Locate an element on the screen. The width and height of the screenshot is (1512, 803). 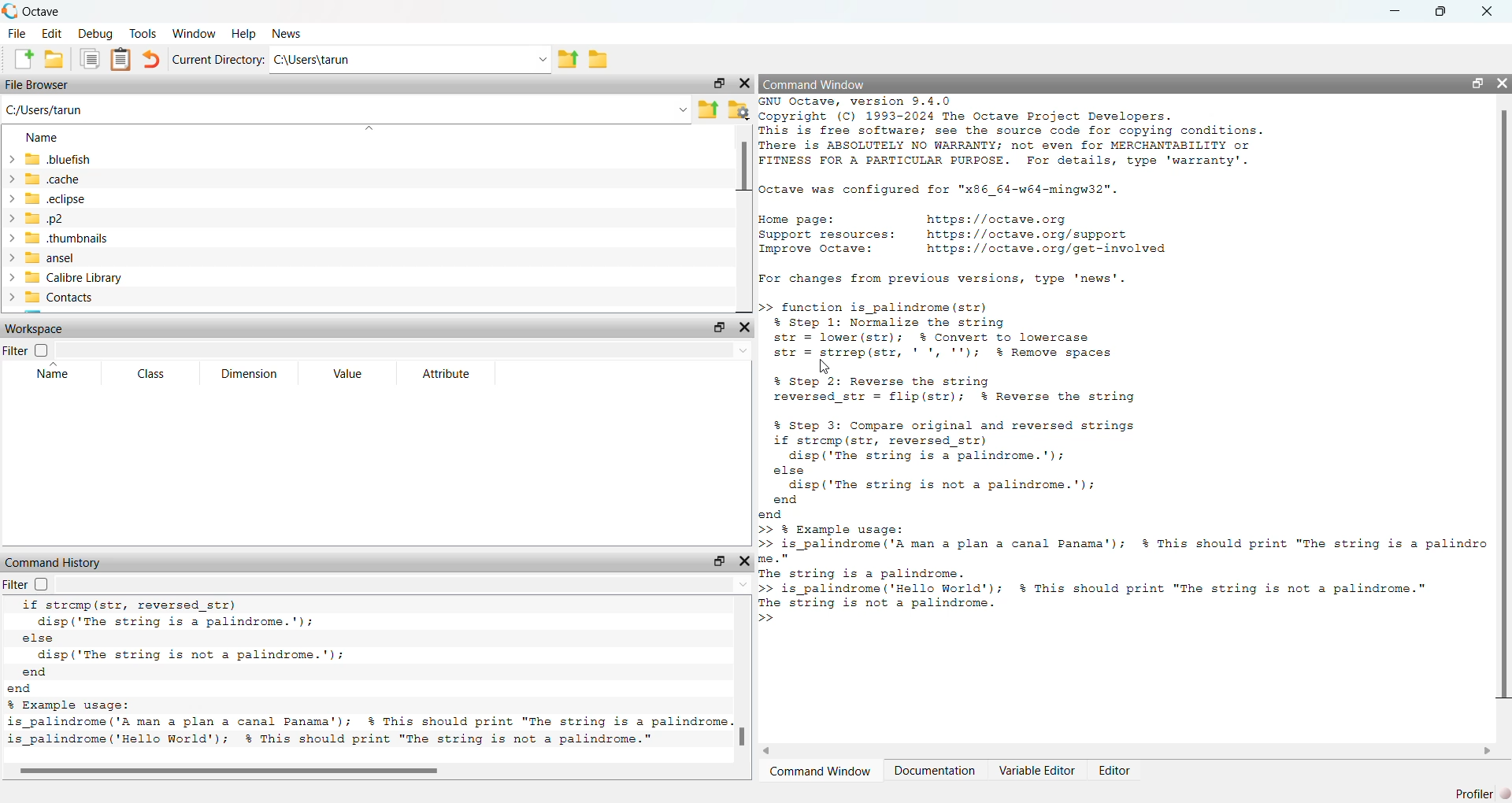
window is located at coordinates (196, 33).